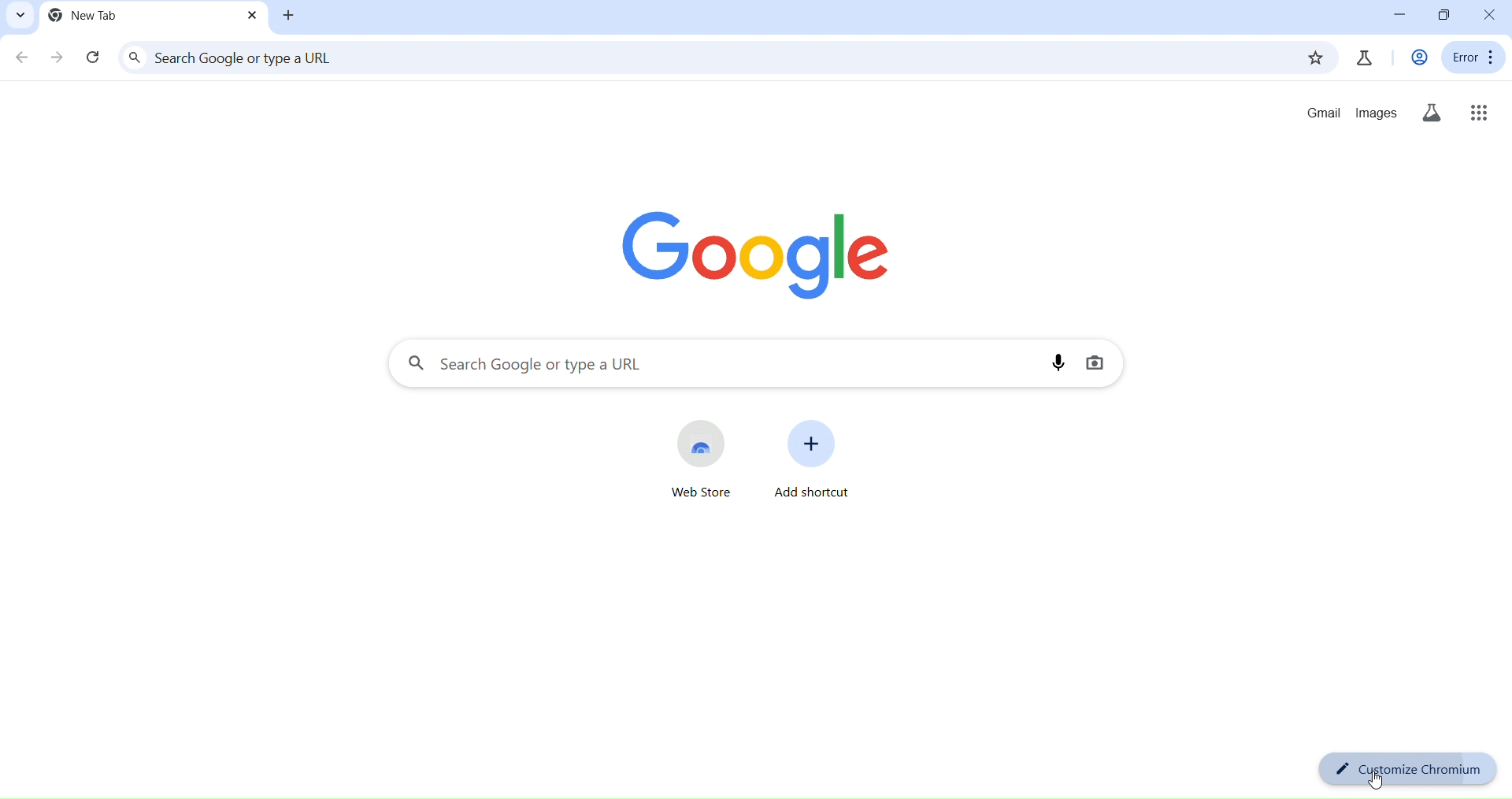 This screenshot has height=799, width=1512. What do you see at coordinates (1407, 768) in the screenshot?
I see `customize chromium` at bounding box center [1407, 768].